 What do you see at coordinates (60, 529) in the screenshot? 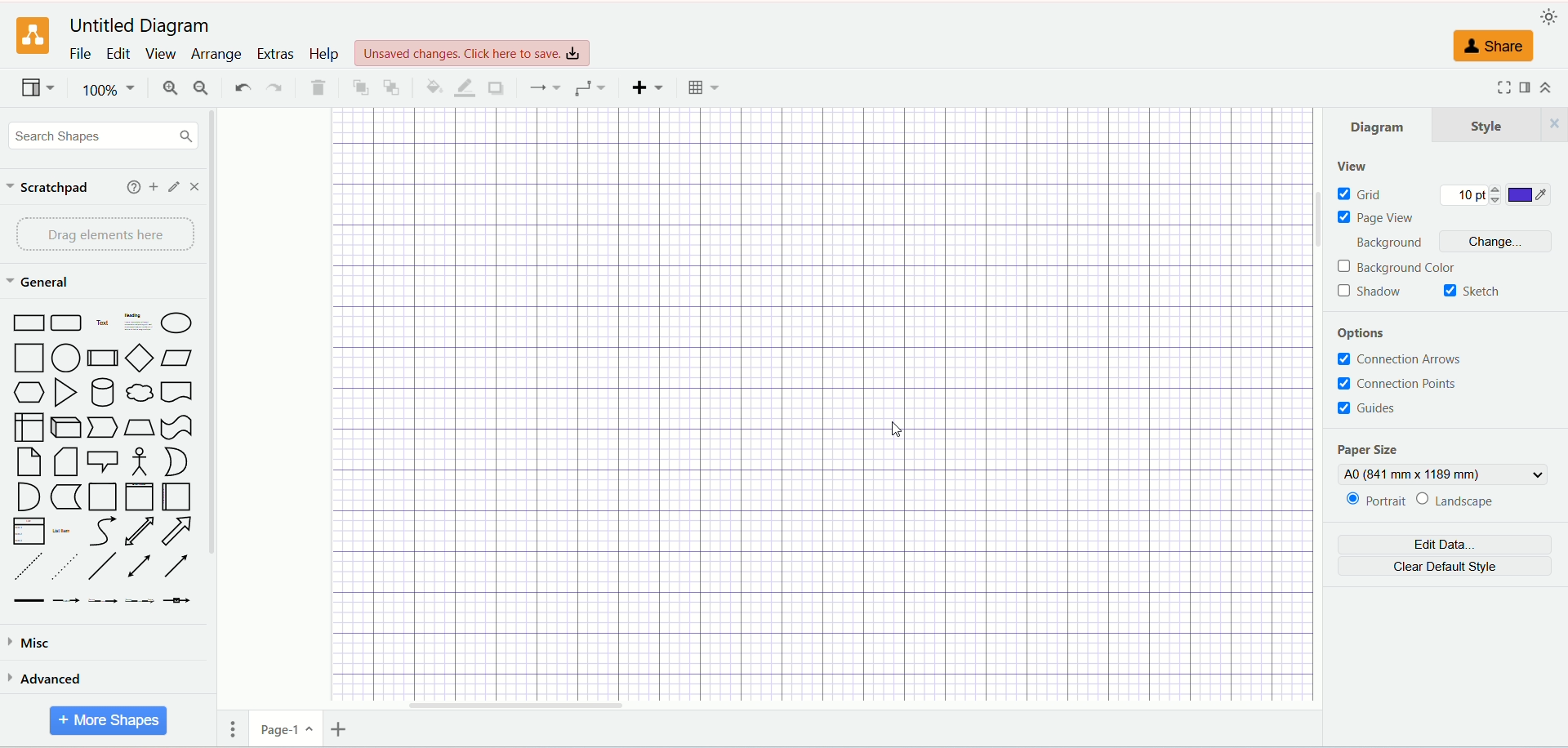
I see `List Item` at bounding box center [60, 529].